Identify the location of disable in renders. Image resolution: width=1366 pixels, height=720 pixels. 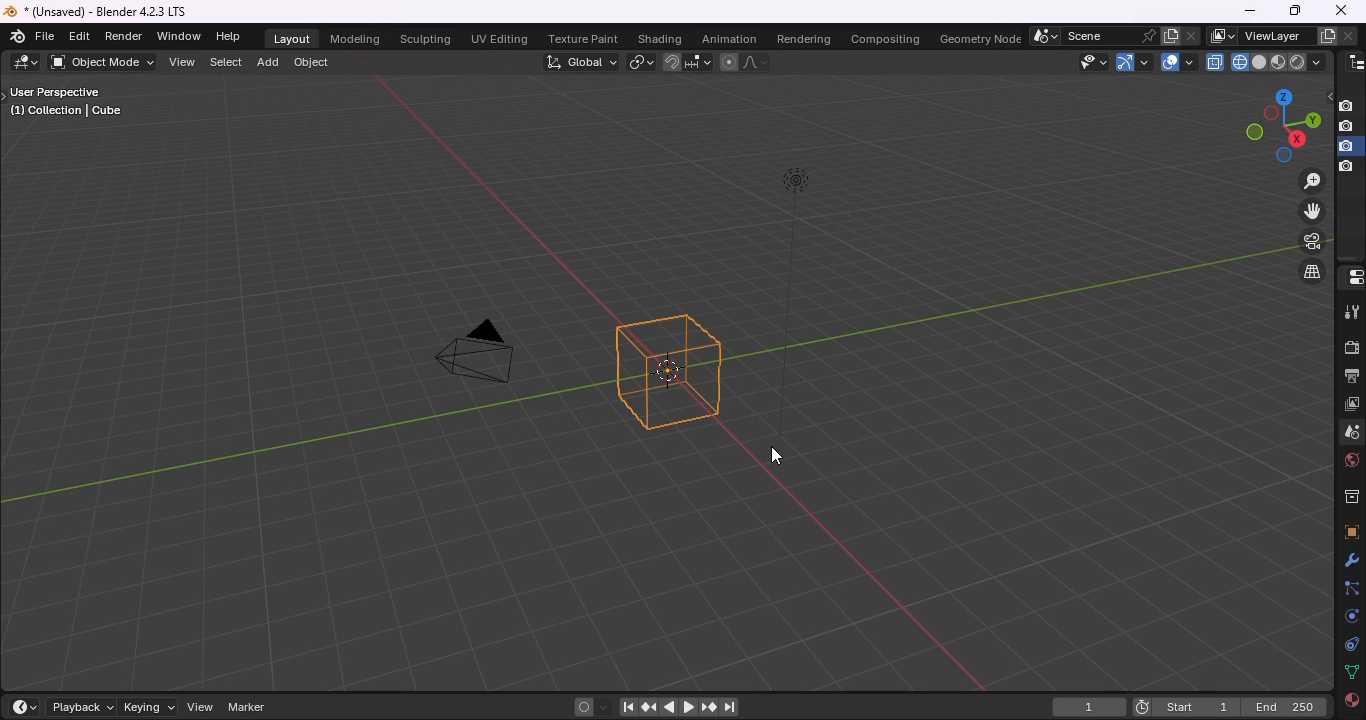
(1349, 146).